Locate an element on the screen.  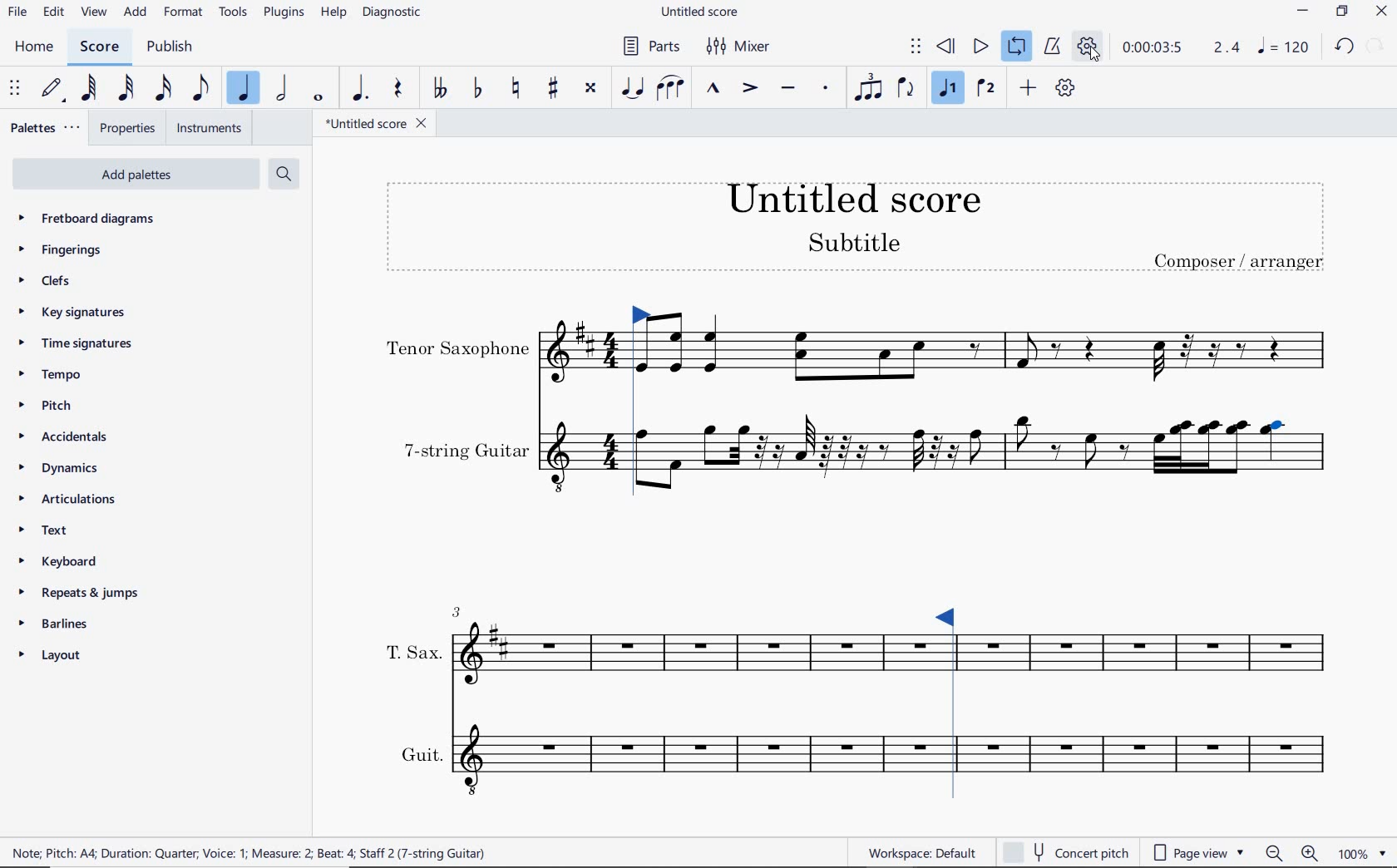
VIEW is located at coordinates (93, 12).